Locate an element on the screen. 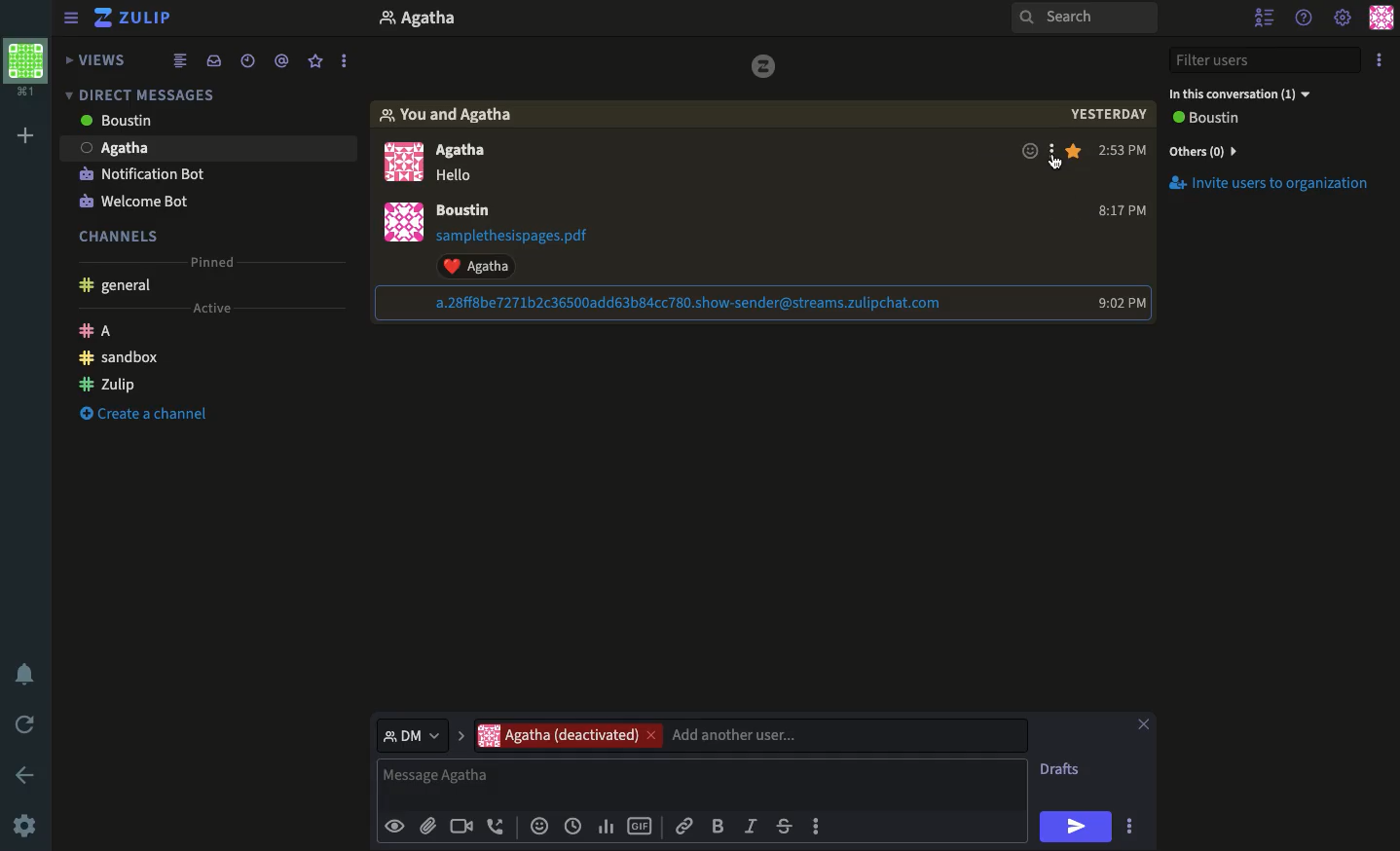  Add is located at coordinates (25, 138).